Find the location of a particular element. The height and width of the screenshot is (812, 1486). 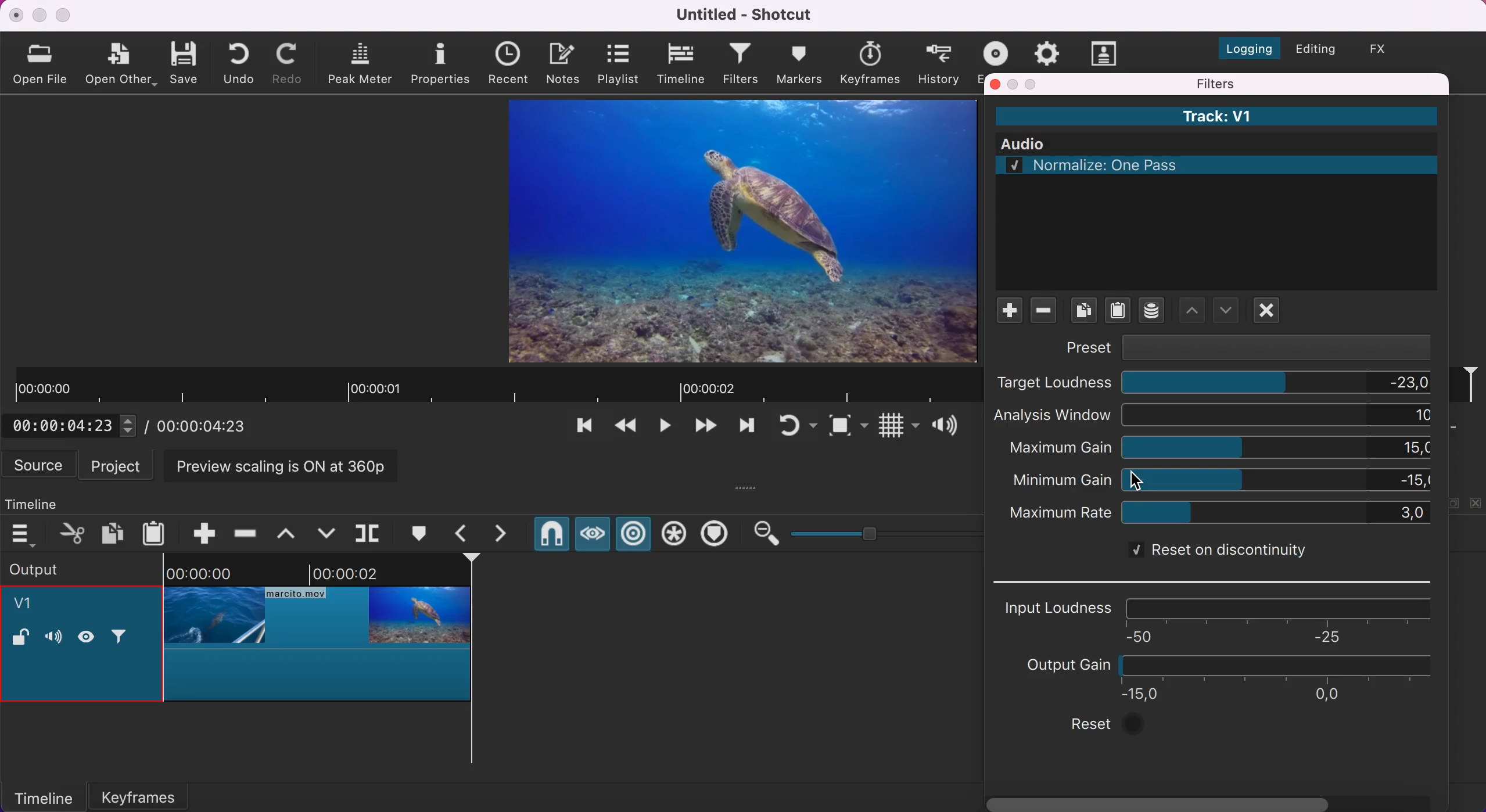

filters is located at coordinates (742, 65).